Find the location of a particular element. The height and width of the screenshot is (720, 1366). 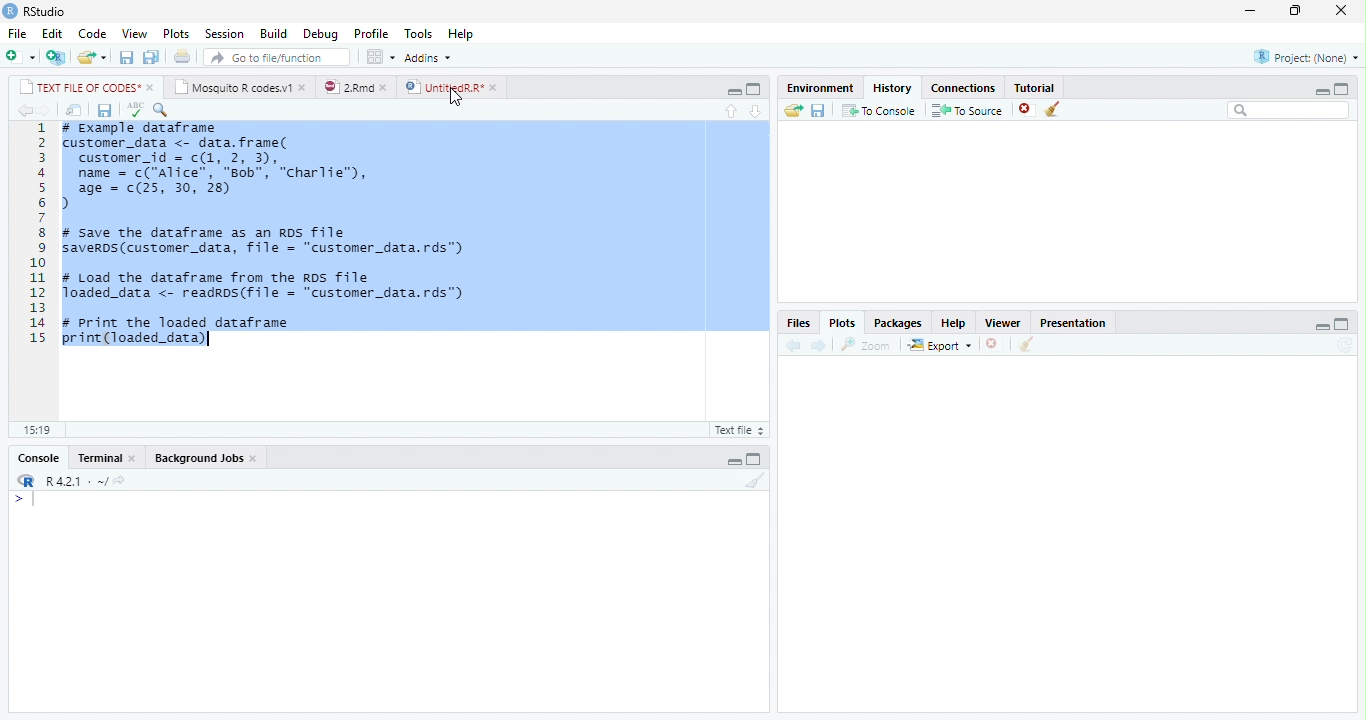

clean is located at coordinates (1027, 344).